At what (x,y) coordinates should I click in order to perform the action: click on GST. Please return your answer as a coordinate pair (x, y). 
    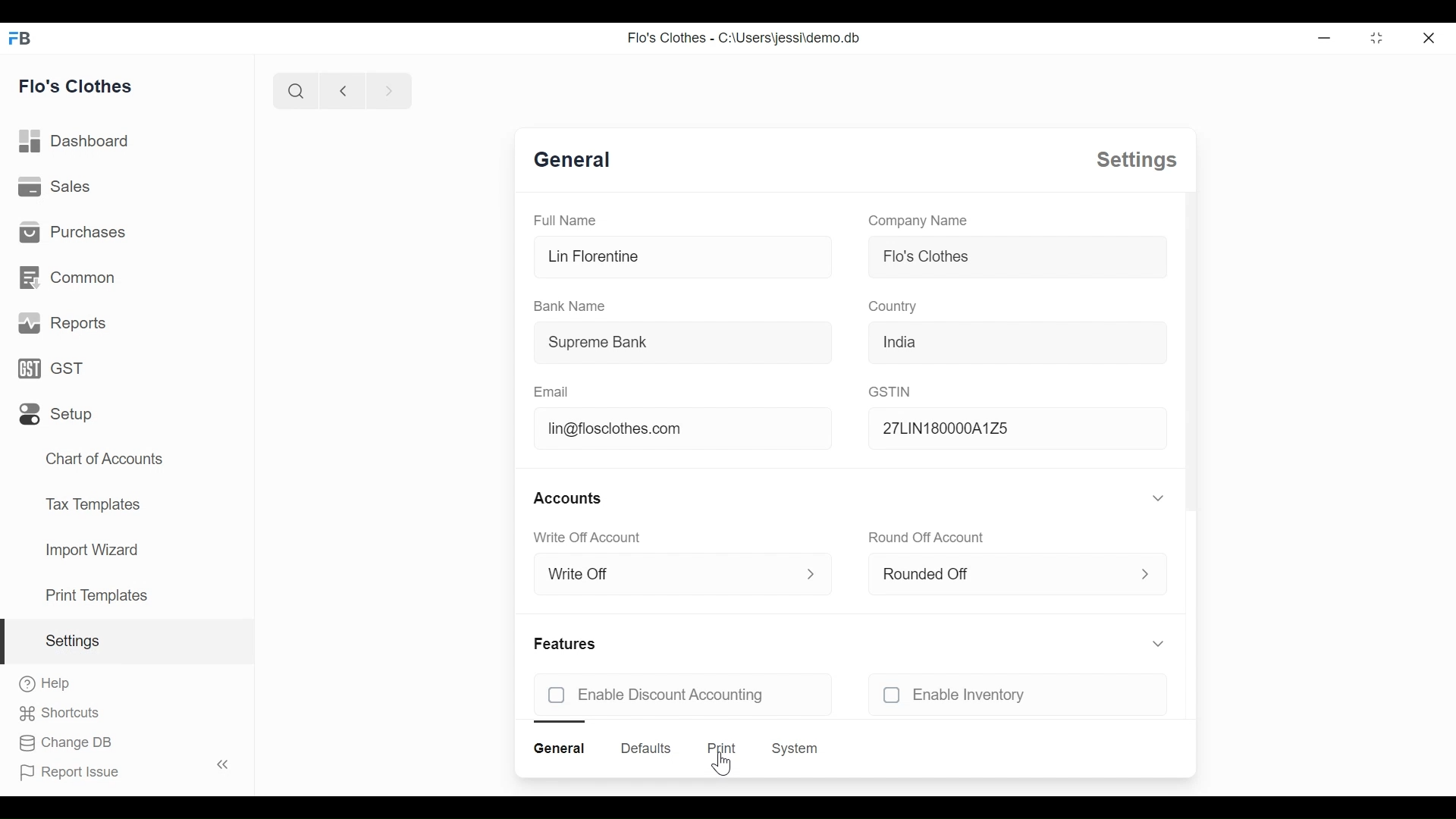
    Looking at the image, I should click on (50, 368).